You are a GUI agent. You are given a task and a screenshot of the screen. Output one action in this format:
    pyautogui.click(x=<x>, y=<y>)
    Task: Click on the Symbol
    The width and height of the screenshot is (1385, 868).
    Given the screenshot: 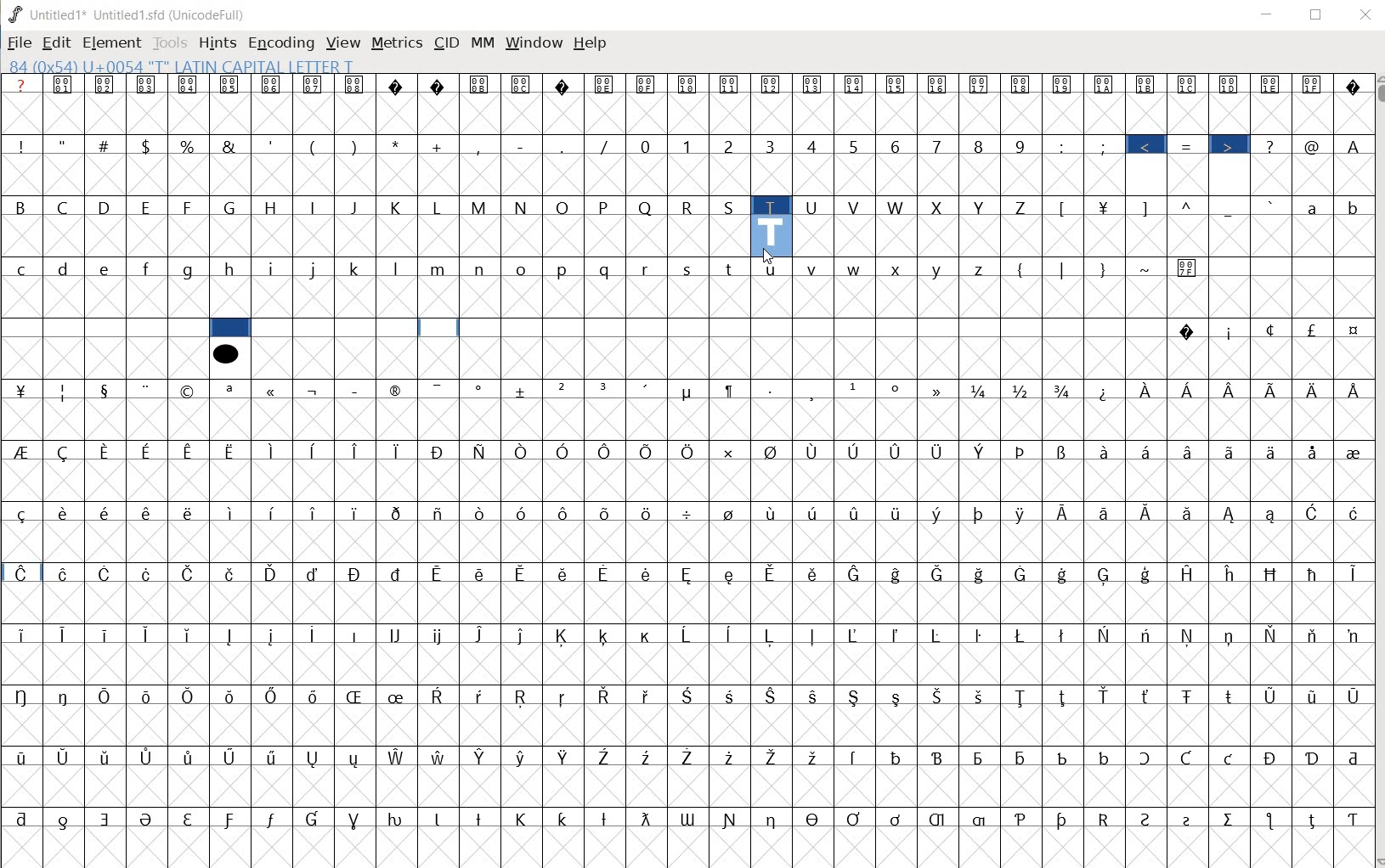 What is the action you would take?
    pyautogui.click(x=938, y=86)
    